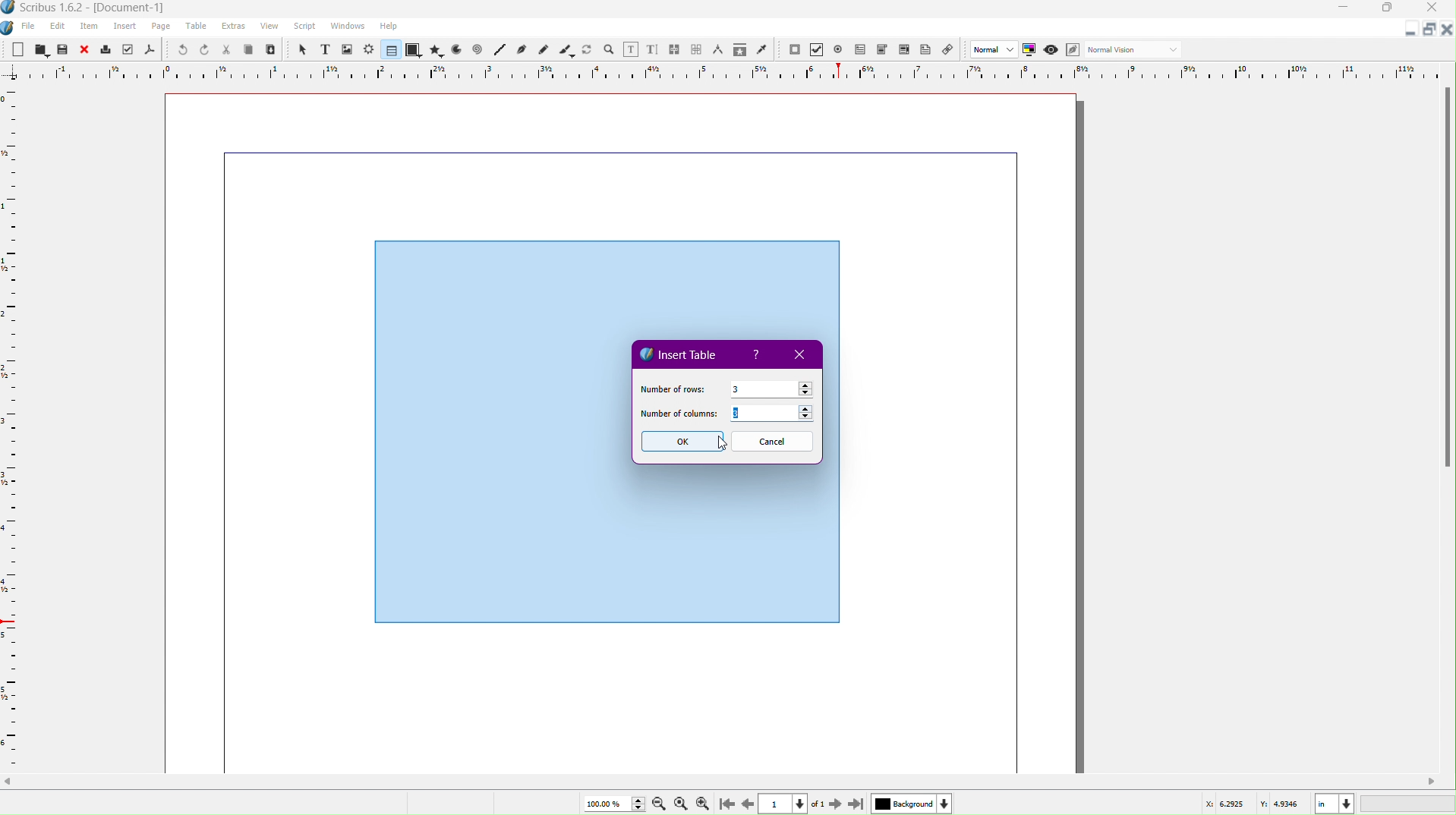 The image size is (1456, 815). What do you see at coordinates (909, 803) in the screenshot?
I see `Background Color` at bounding box center [909, 803].